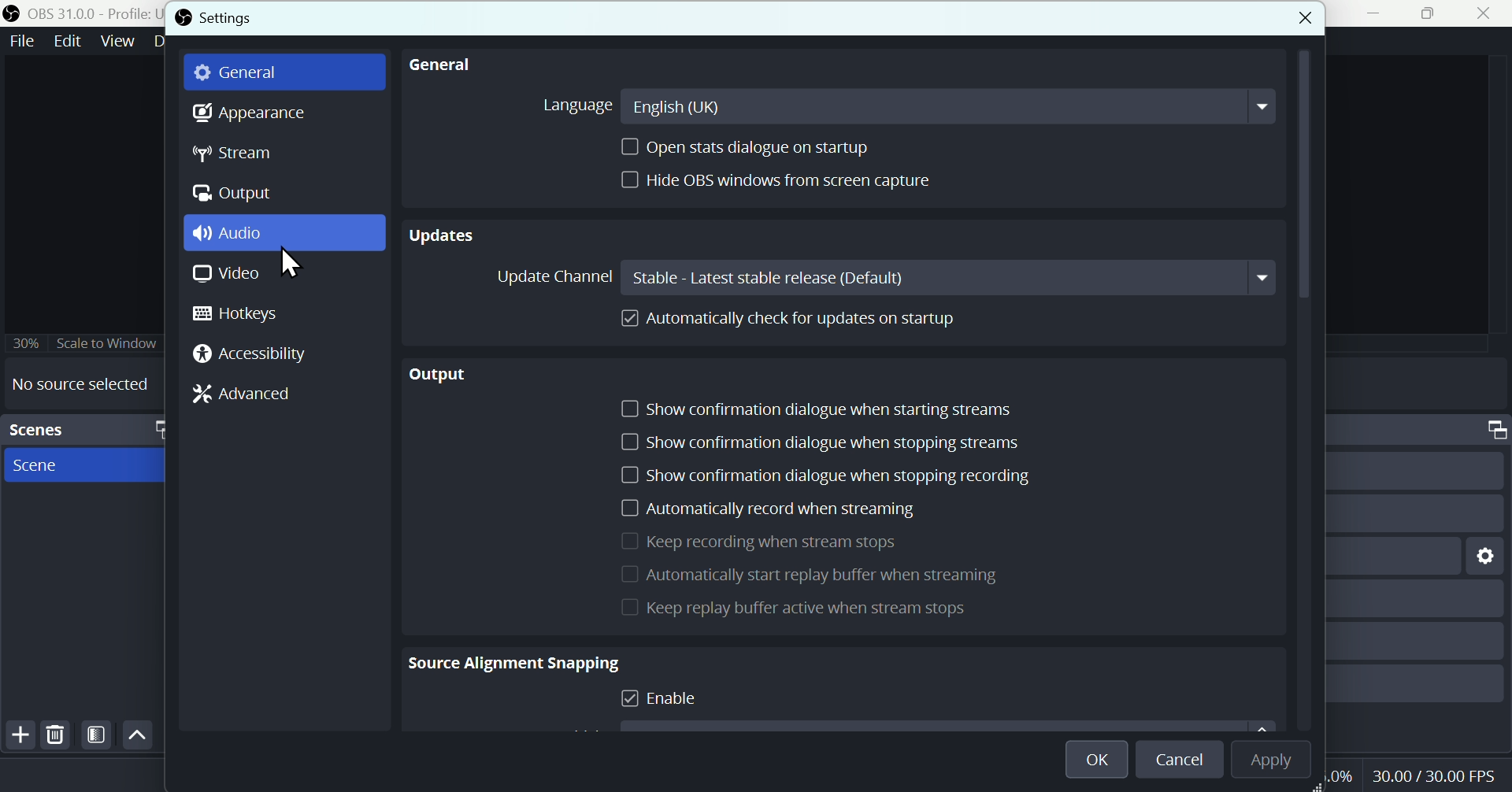  I want to click on , so click(1490, 430).